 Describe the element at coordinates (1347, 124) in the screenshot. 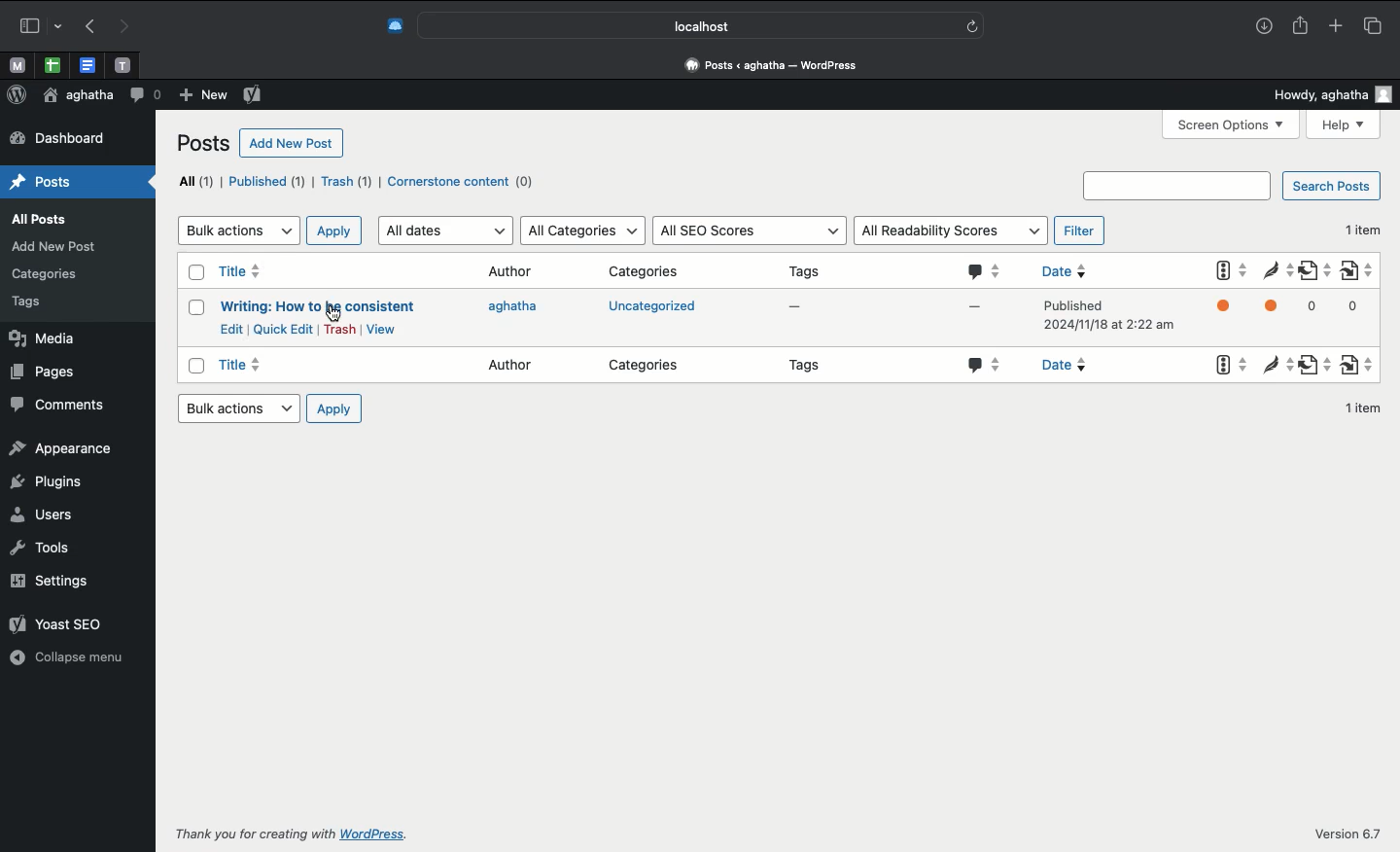

I see `Help` at that location.